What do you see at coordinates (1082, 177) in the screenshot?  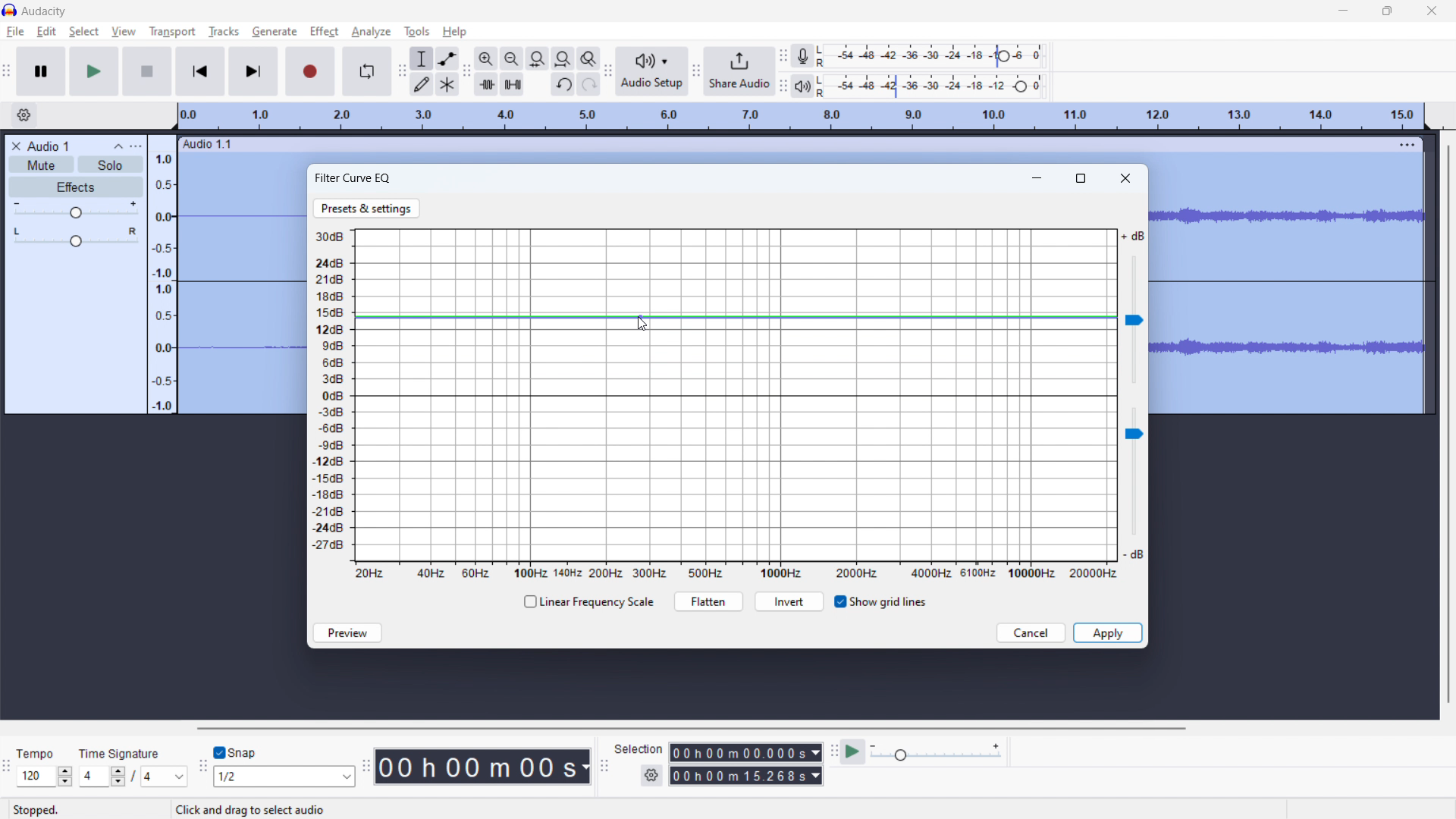 I see `maximize` at bounding box center [1082, 177].